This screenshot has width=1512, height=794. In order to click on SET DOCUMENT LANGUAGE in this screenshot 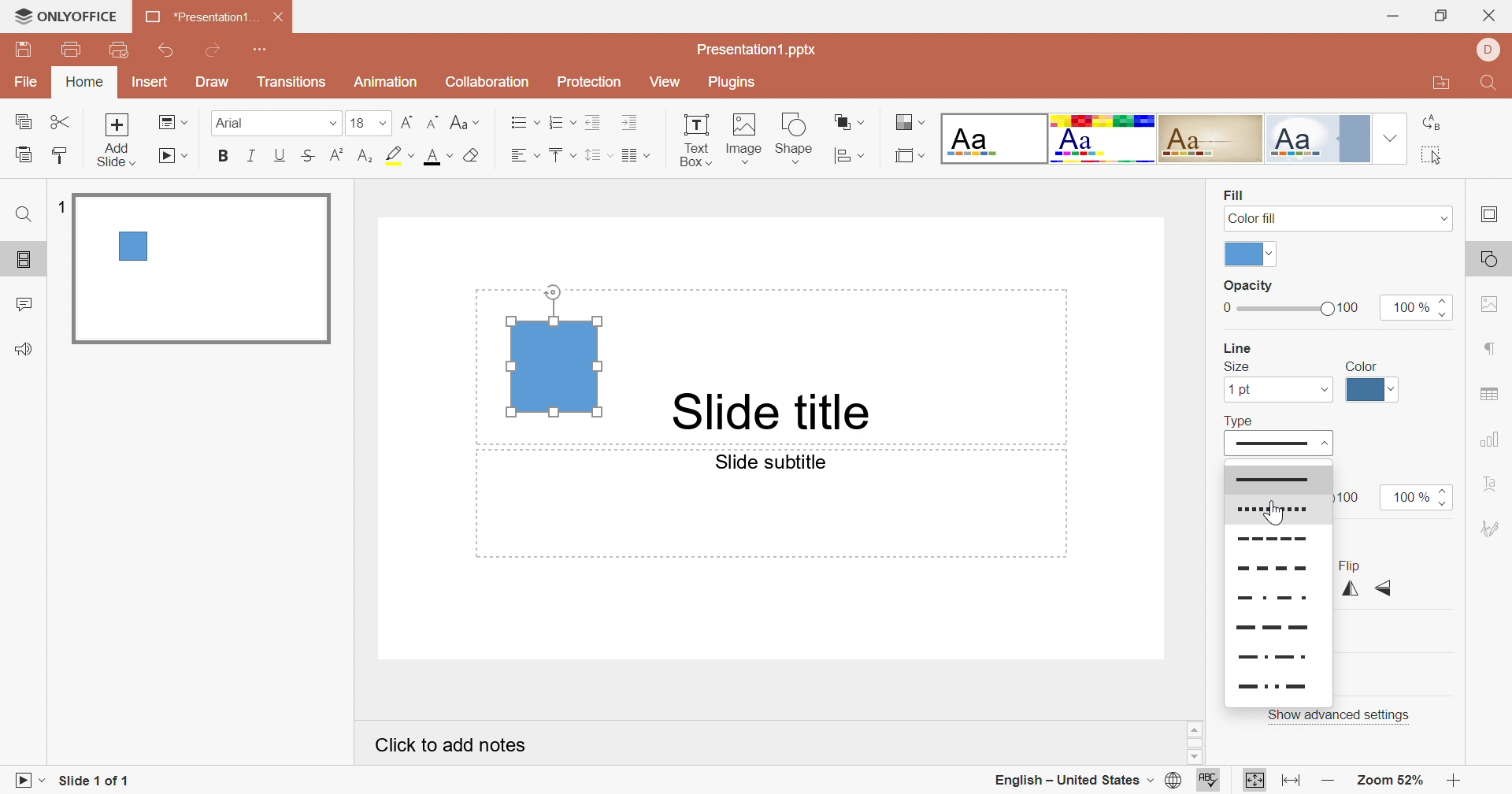, I will do `click(1173, 781)`.